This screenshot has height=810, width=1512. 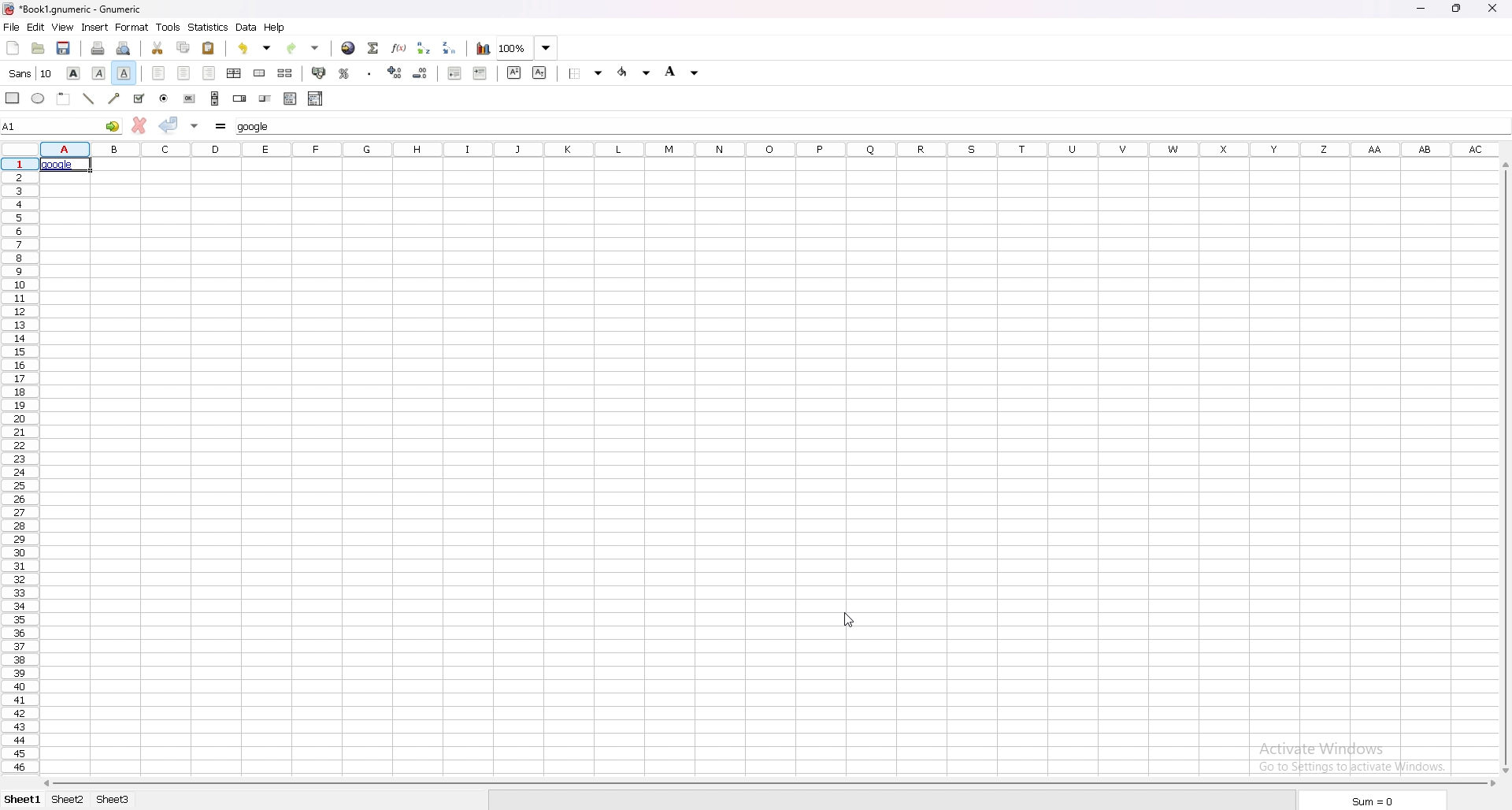 I want to click on edit, so click(x=36, y=28).